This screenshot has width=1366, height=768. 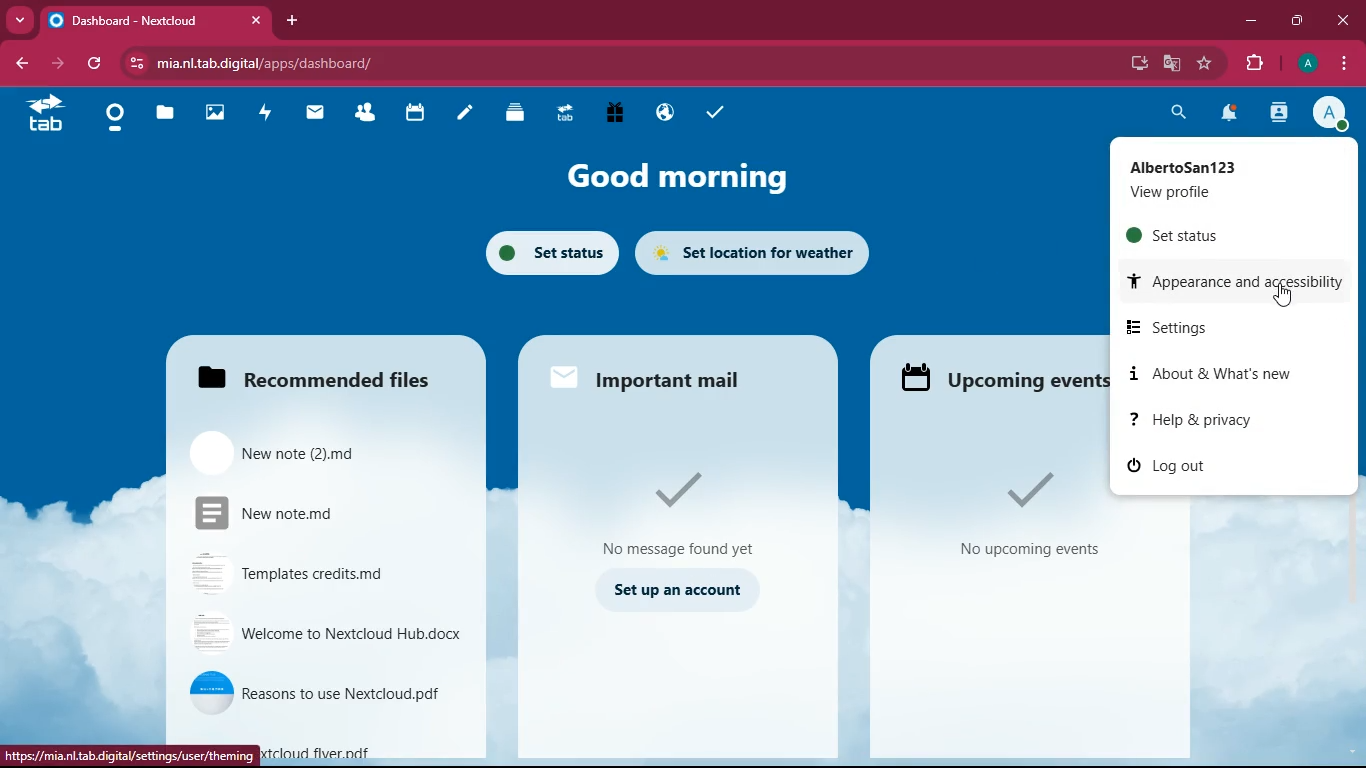 What do you see at coordinates (325, 691) in the screenshot?
I see `reasons to use nextcloud.pdf` at bounding box center [325, 691].